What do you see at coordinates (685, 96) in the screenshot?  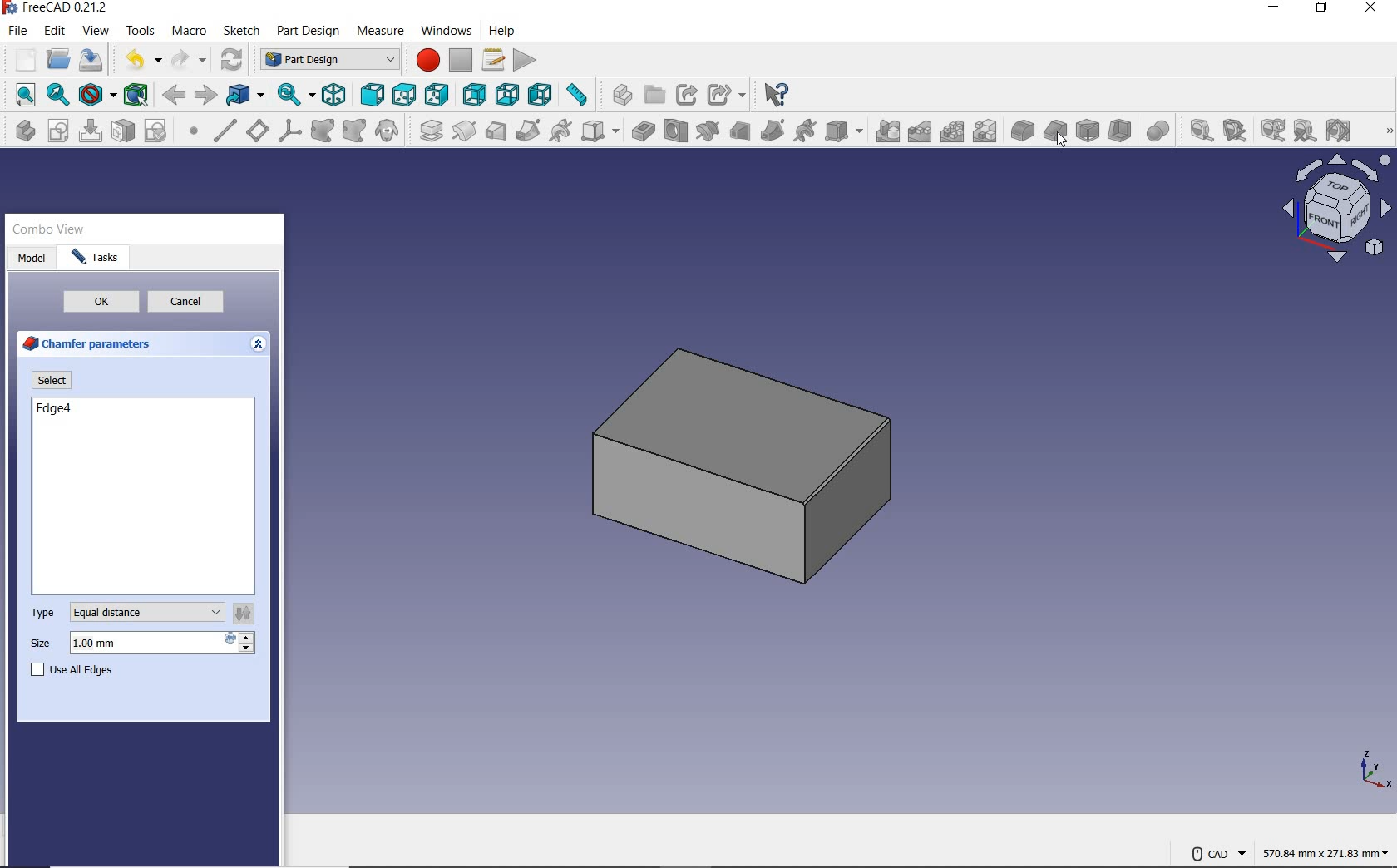 I see `make link` at bounding box center [685, 96].